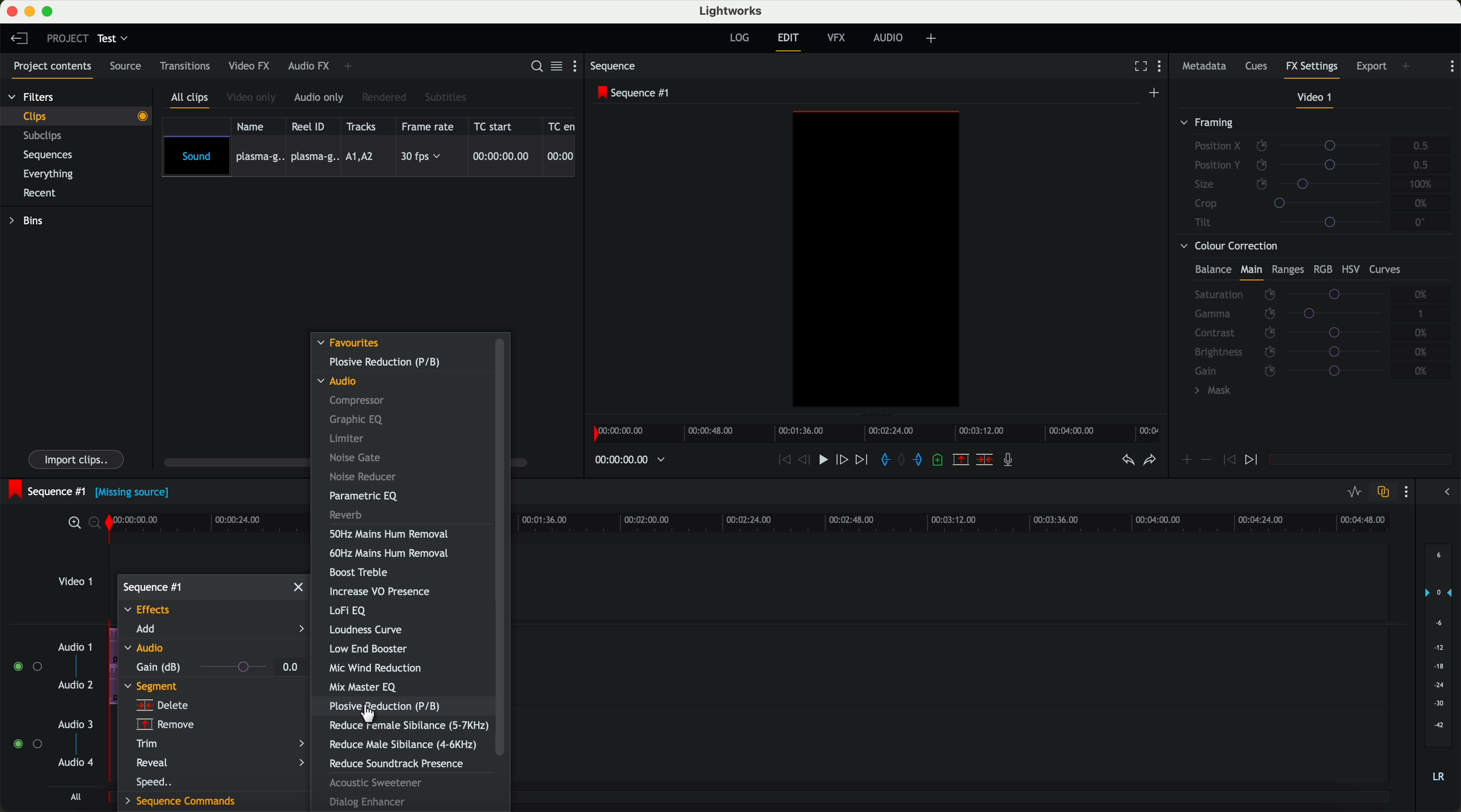 The width and height of the screenshot is (1461, 812). Describe the element at coordinates (1126, 463) in the screenshot. I see `undo` at that location.